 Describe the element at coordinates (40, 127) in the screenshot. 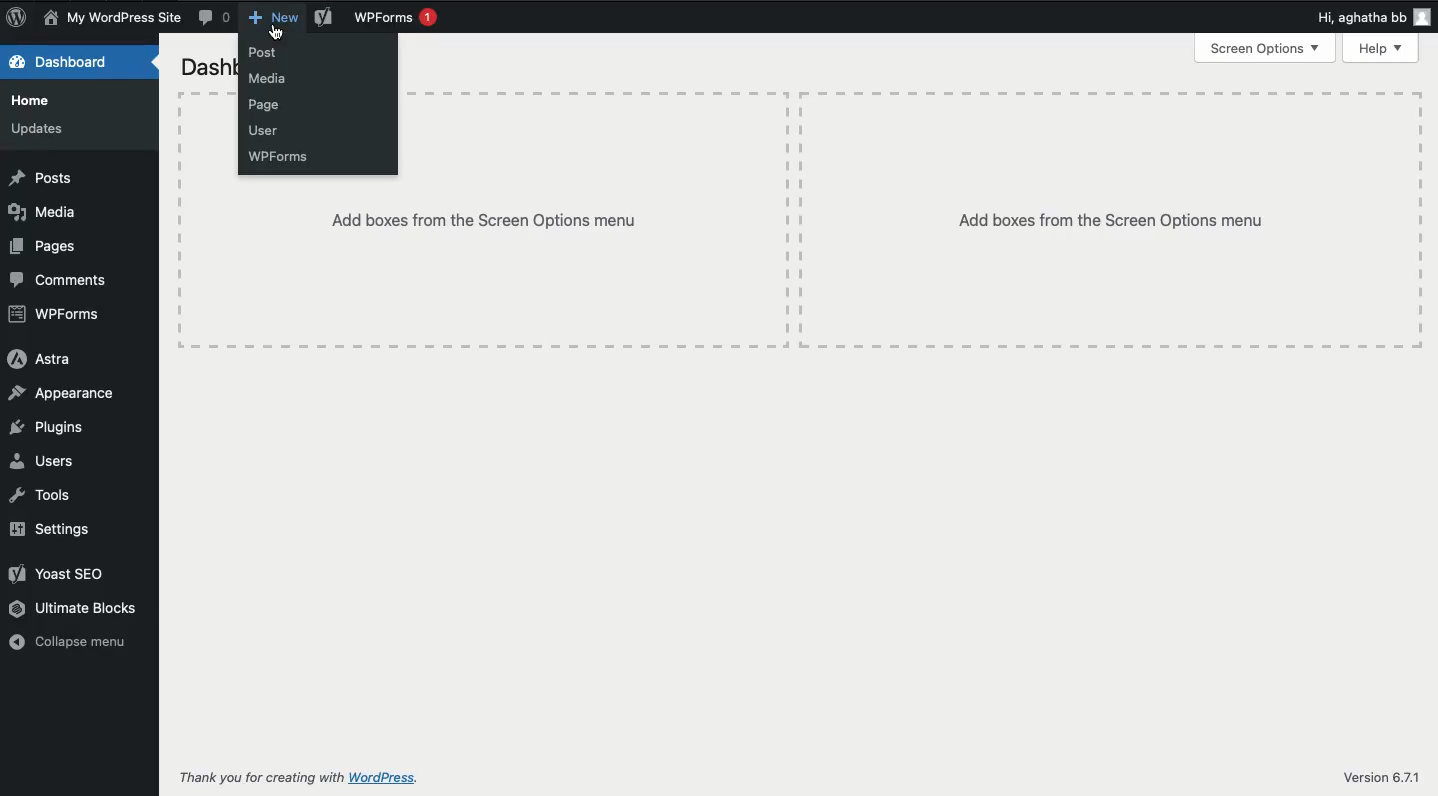

I see `Updates` at that location.